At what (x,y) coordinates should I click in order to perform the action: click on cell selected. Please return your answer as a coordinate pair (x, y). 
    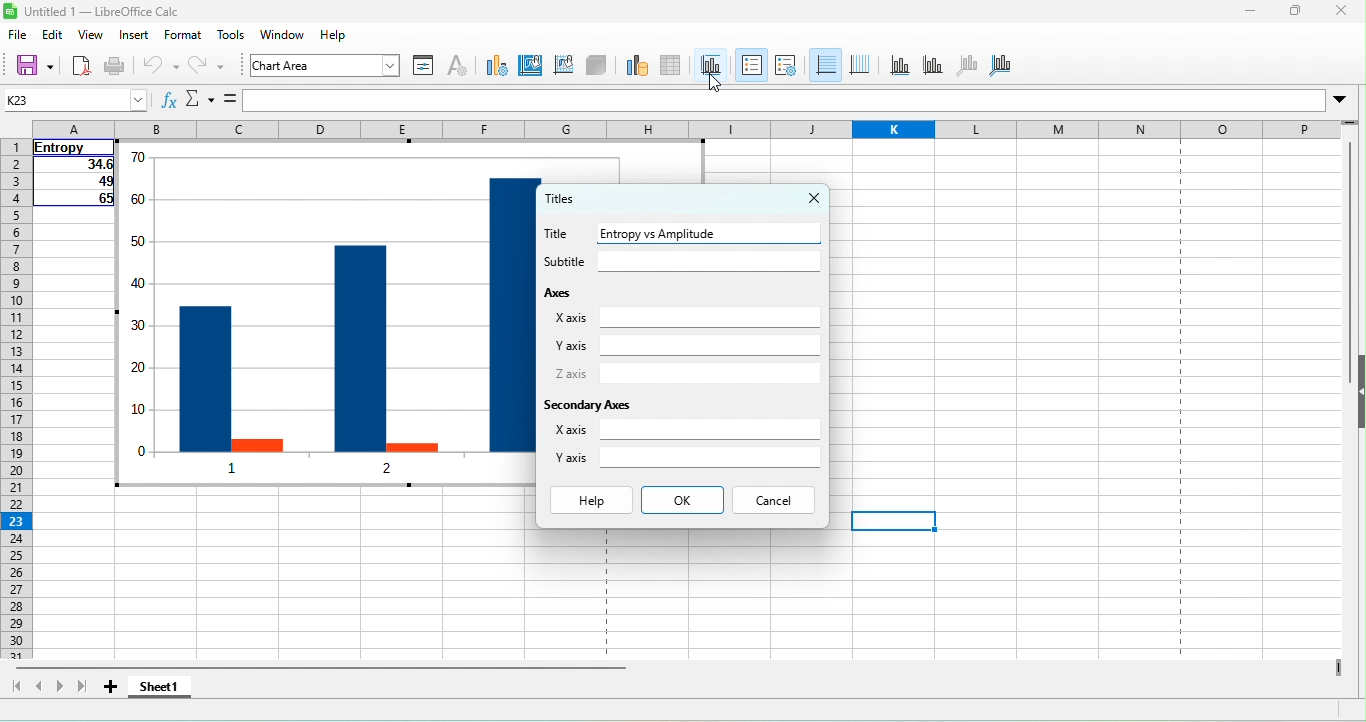
    Looking at the image, I should click on (891, 522).